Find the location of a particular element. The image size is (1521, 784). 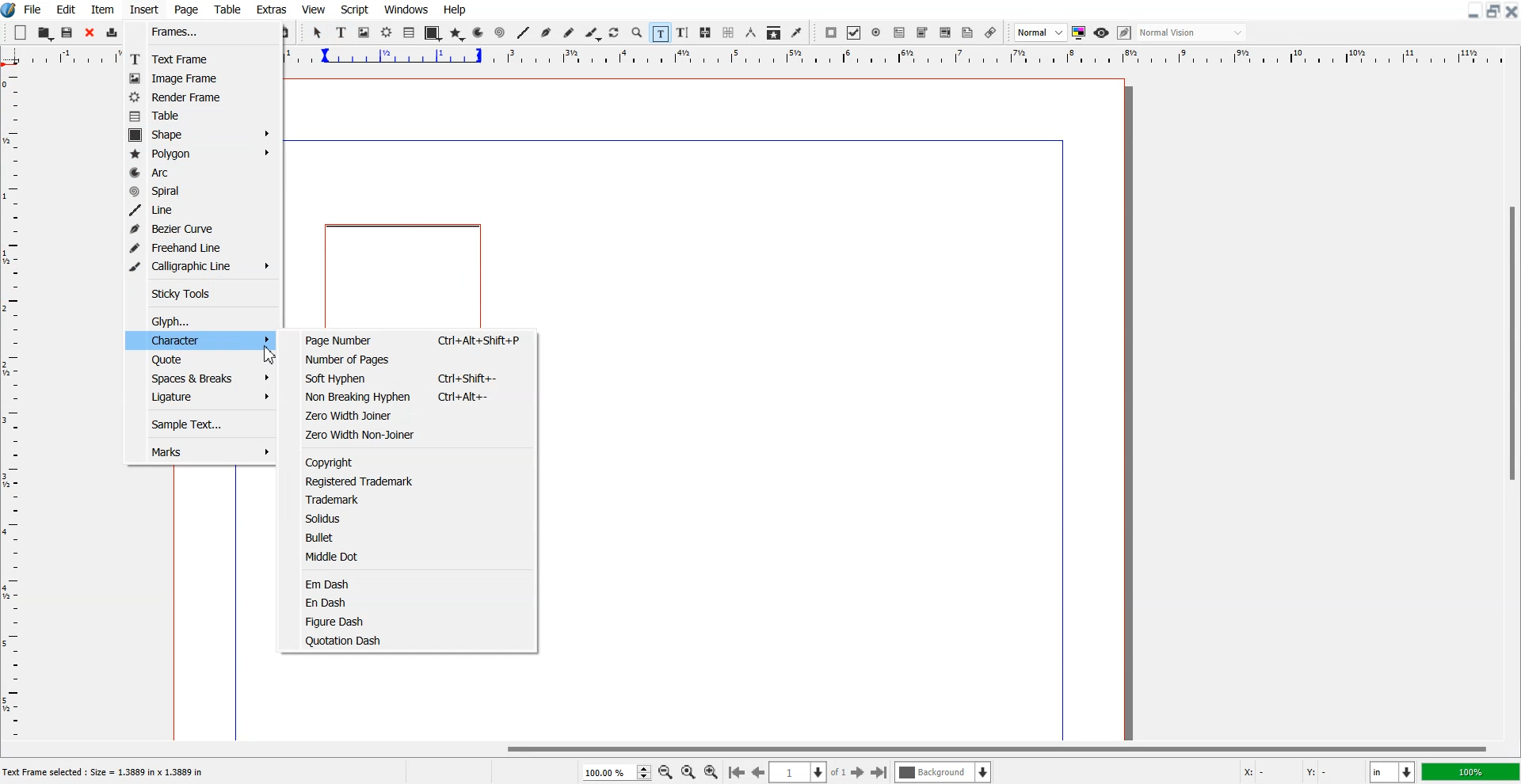

Arc is located at coordinates (479, 32).